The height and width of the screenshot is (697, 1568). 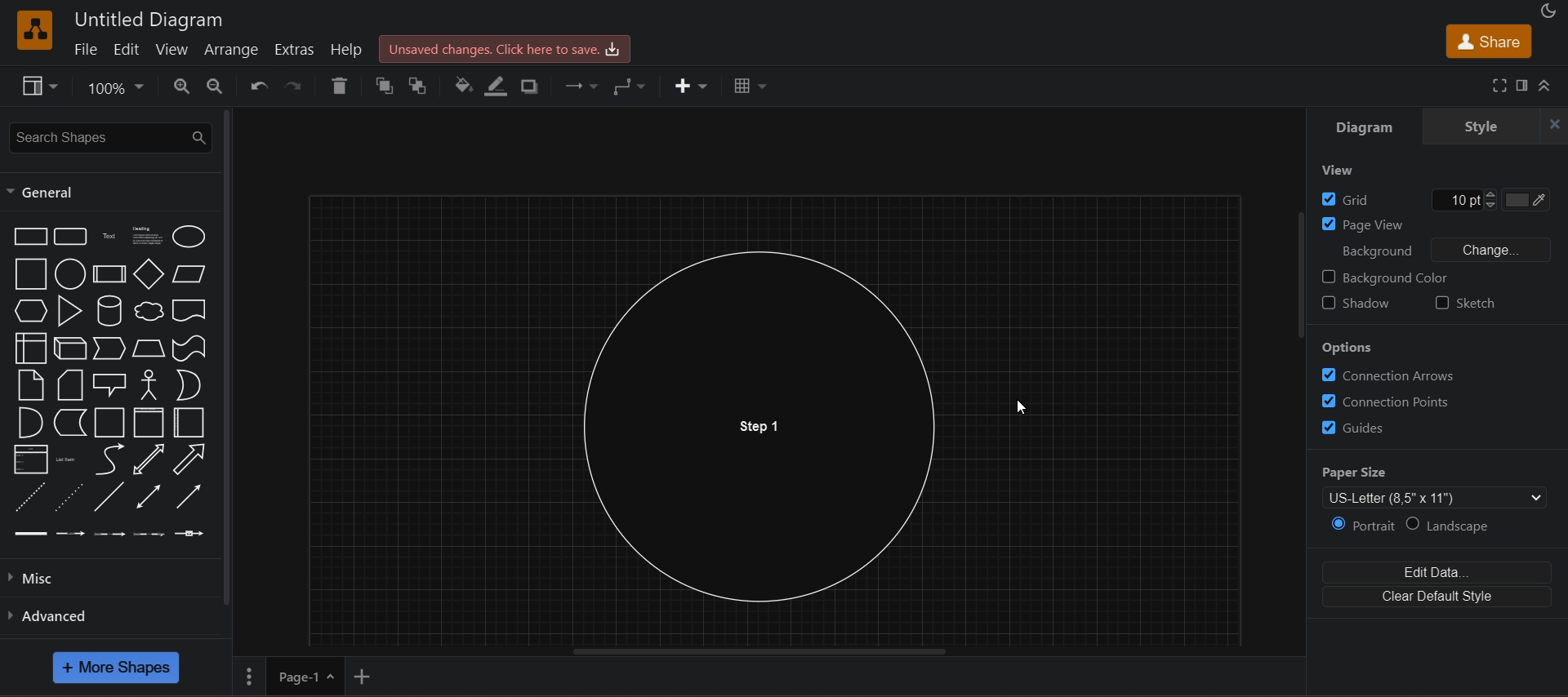 What do you see at coordinates (586, 85) in the screenshot?
I see `connection` at bounding box center [586, 85].